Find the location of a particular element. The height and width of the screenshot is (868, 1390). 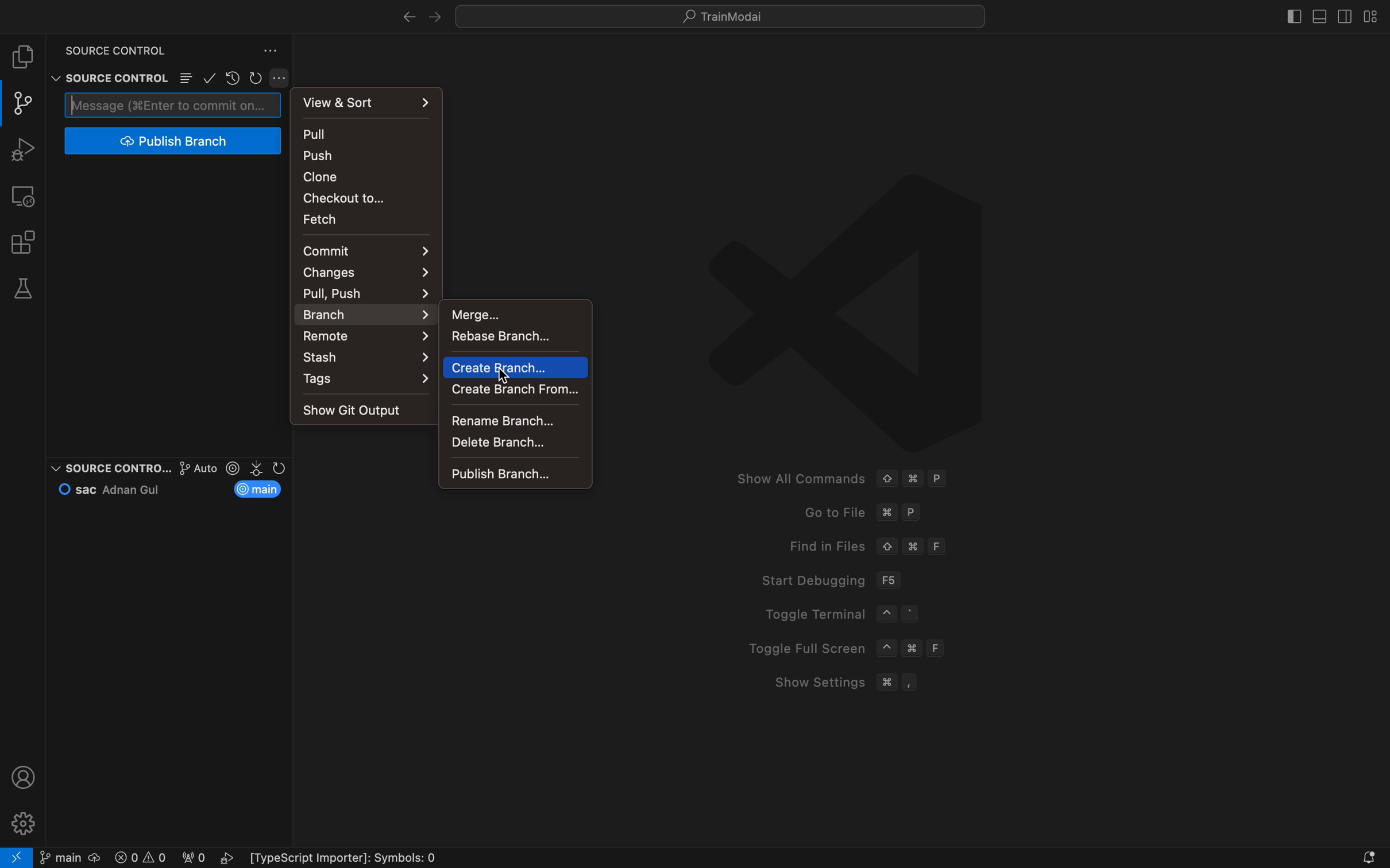

tags is located at coordinates (369, 382).